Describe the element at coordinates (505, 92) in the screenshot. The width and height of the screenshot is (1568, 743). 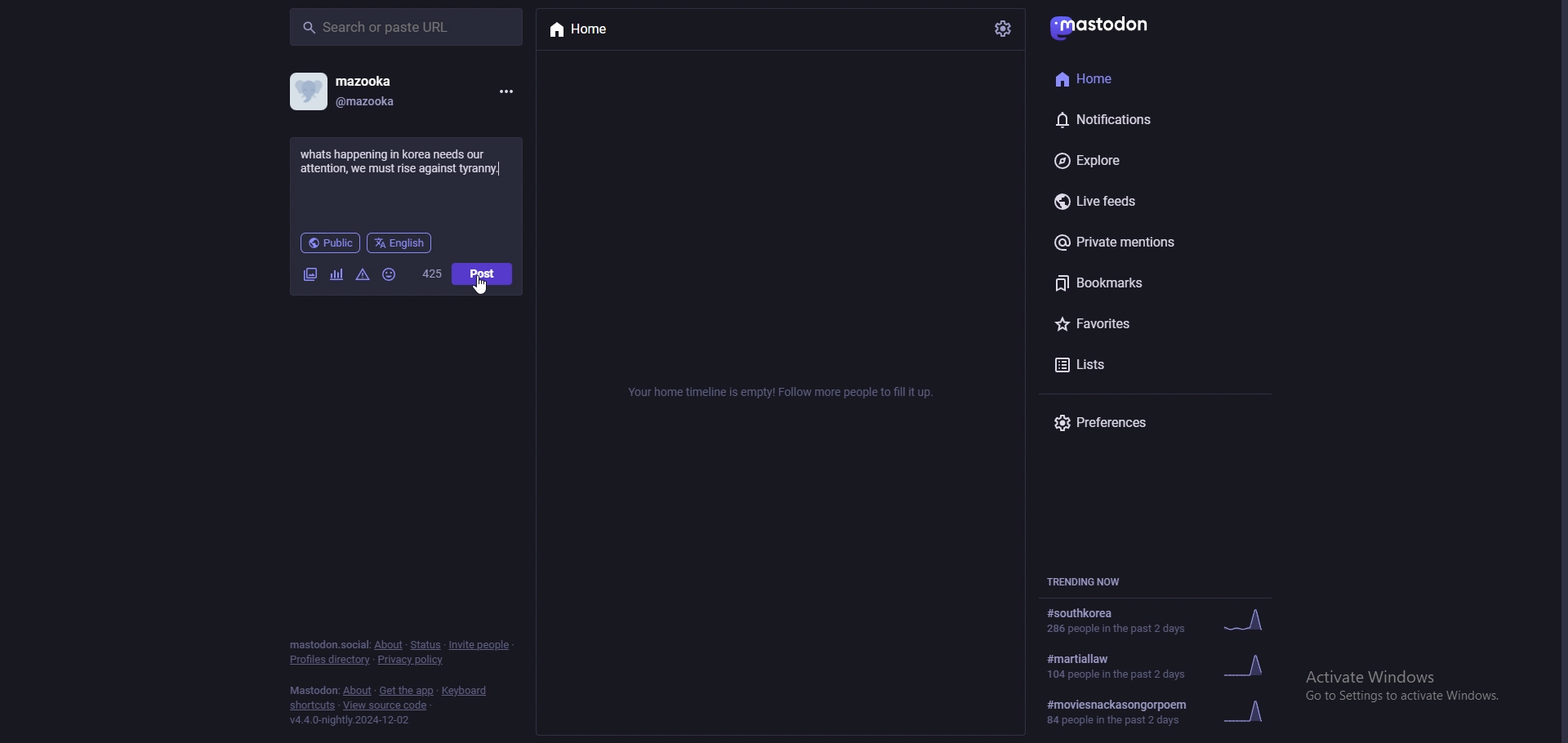
I see `menu` at that location.